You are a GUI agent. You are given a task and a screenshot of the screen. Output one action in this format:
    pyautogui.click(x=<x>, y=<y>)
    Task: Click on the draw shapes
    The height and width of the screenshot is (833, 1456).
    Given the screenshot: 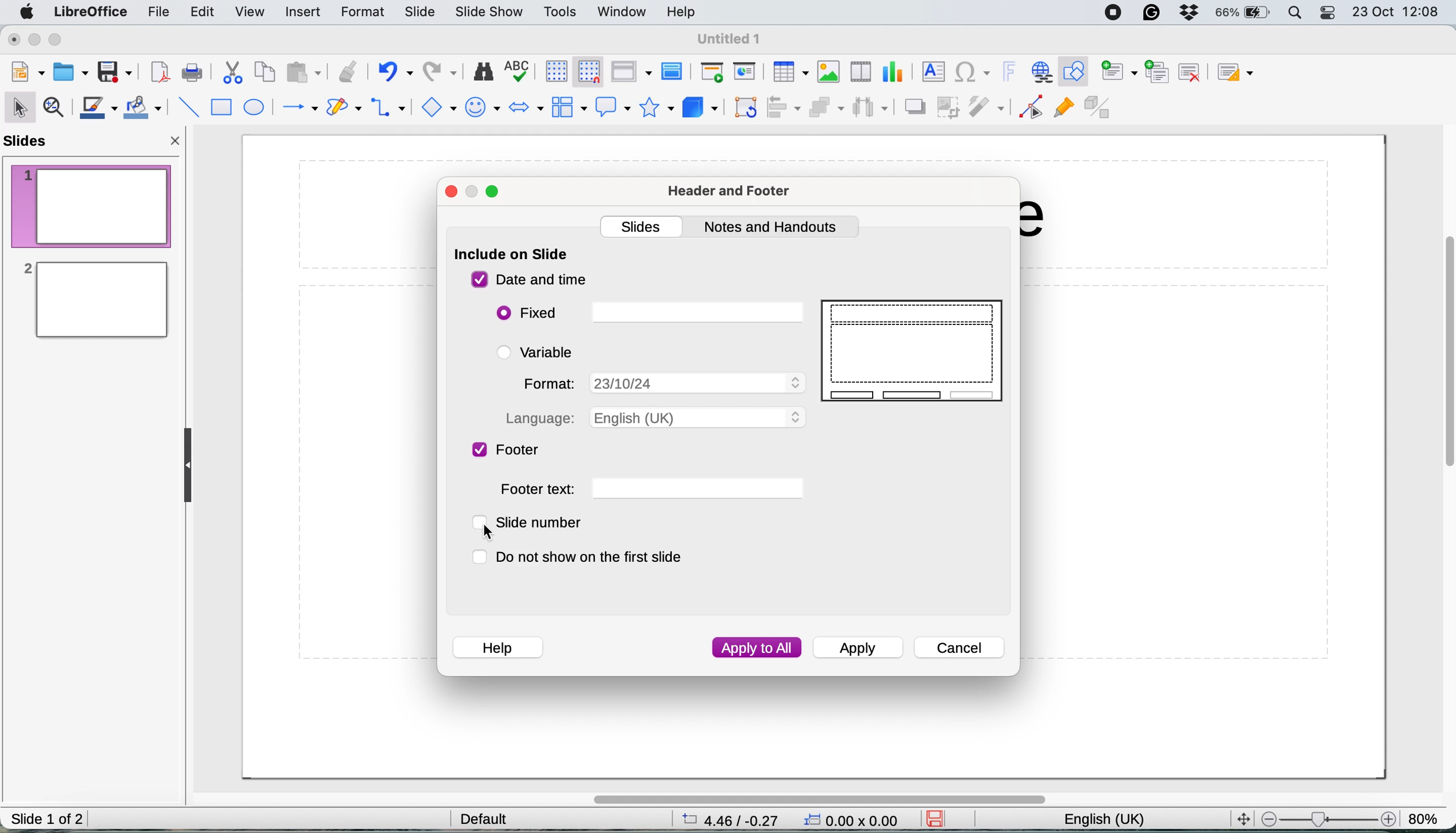 What is the action you would take?
    pyautogui.click(x=344, y=108)
    